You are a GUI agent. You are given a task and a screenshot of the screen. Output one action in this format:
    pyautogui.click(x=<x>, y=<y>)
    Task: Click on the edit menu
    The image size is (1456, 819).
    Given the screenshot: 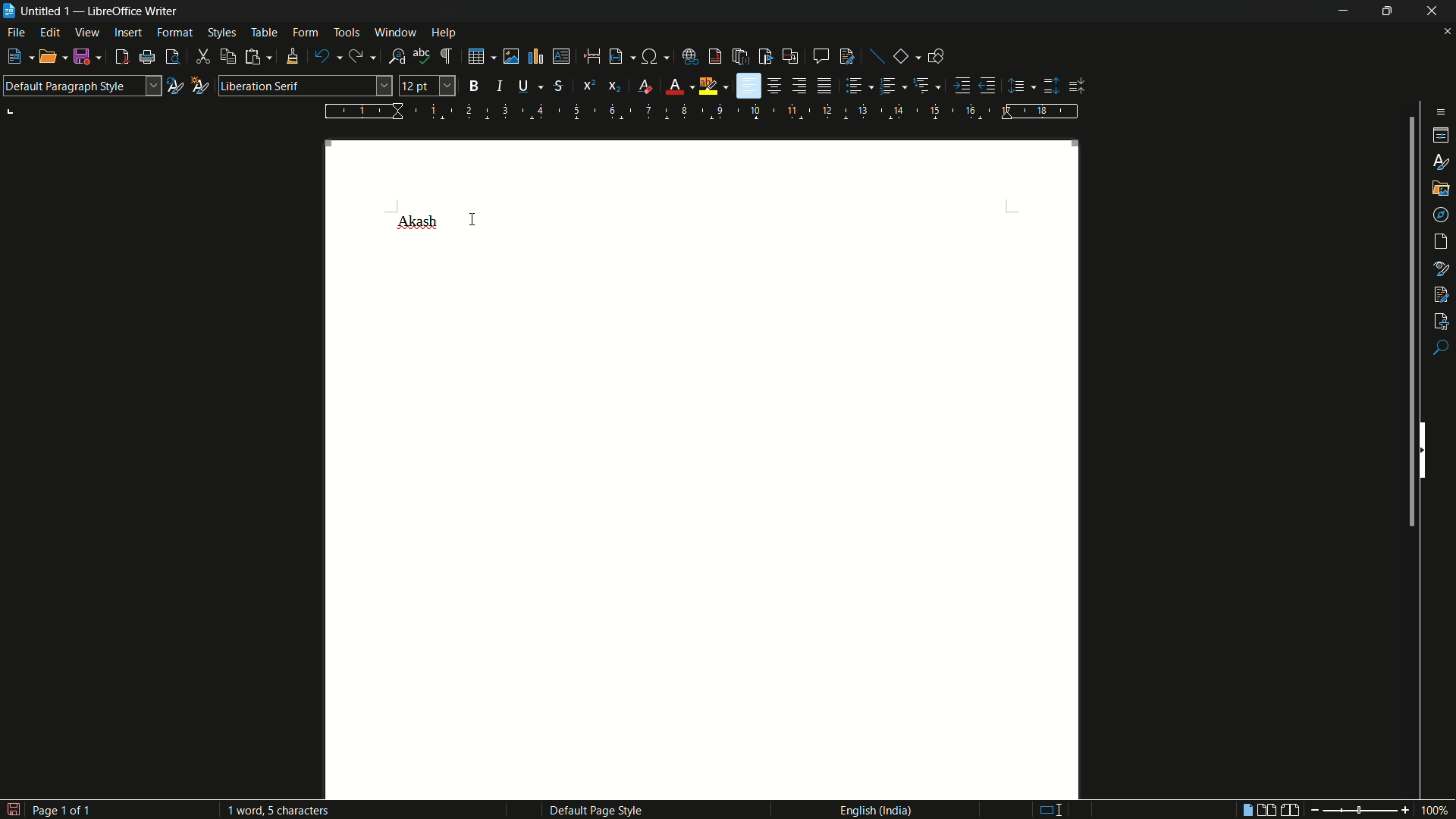 What is the action you would take?
    pyautogui.click(x=52, y=33)
    